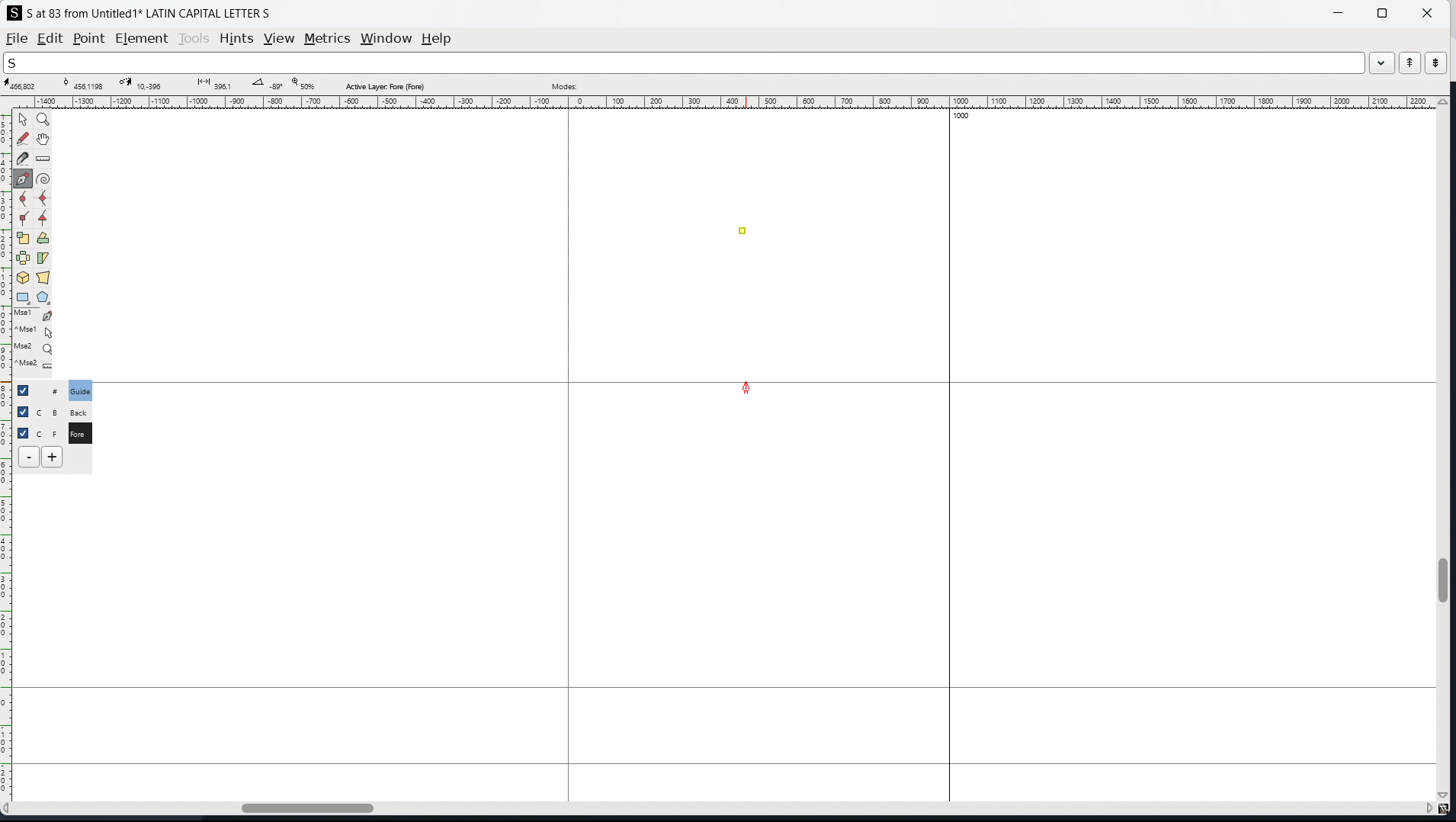 The height and width of the screenshot is (822, 1456). Describe the element at coordinates (43, 239) in the screenshot. I see `rotate selection` at that location.